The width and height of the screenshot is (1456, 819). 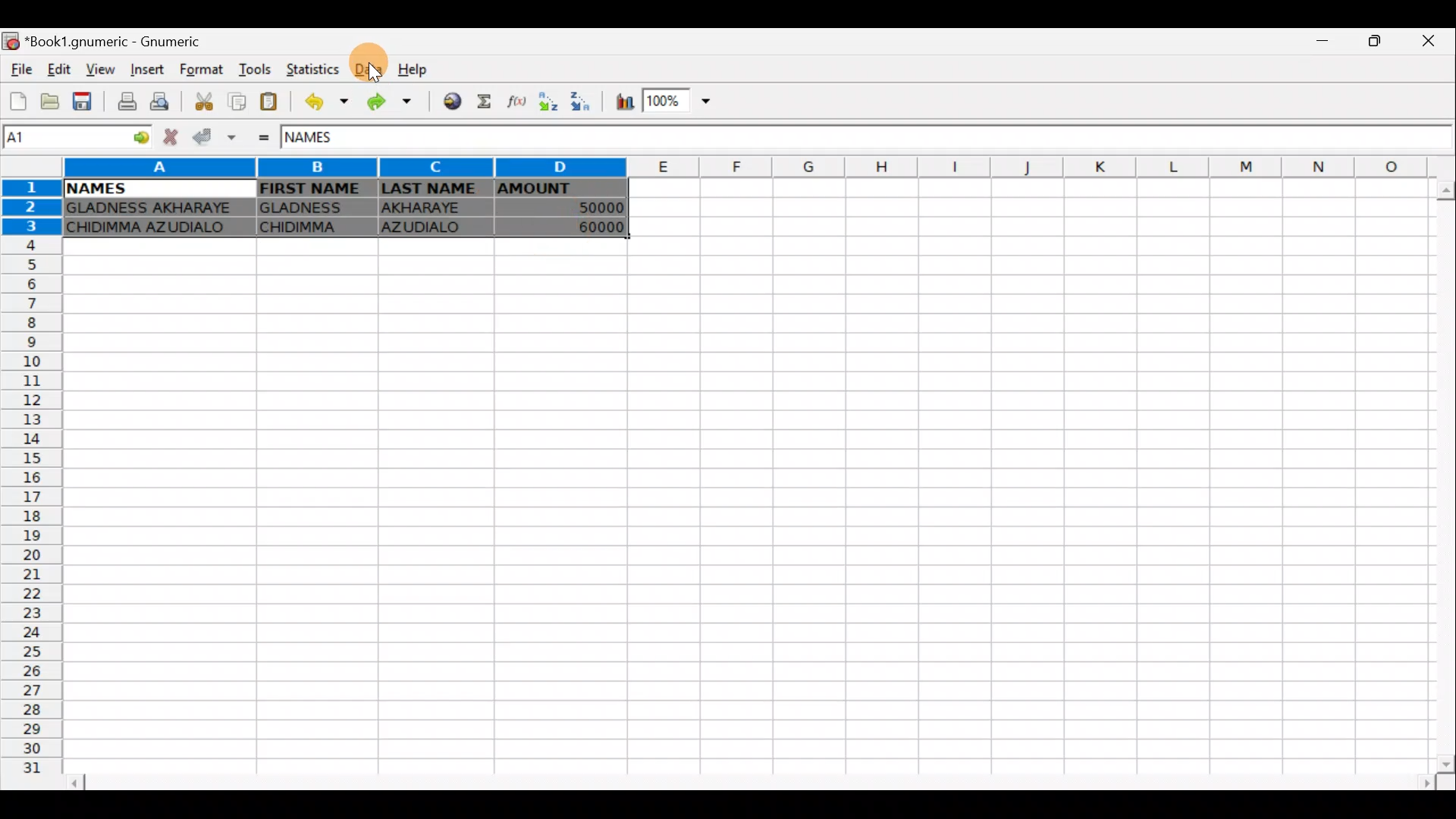 I want to click on Data, so click(x=366, y=67).